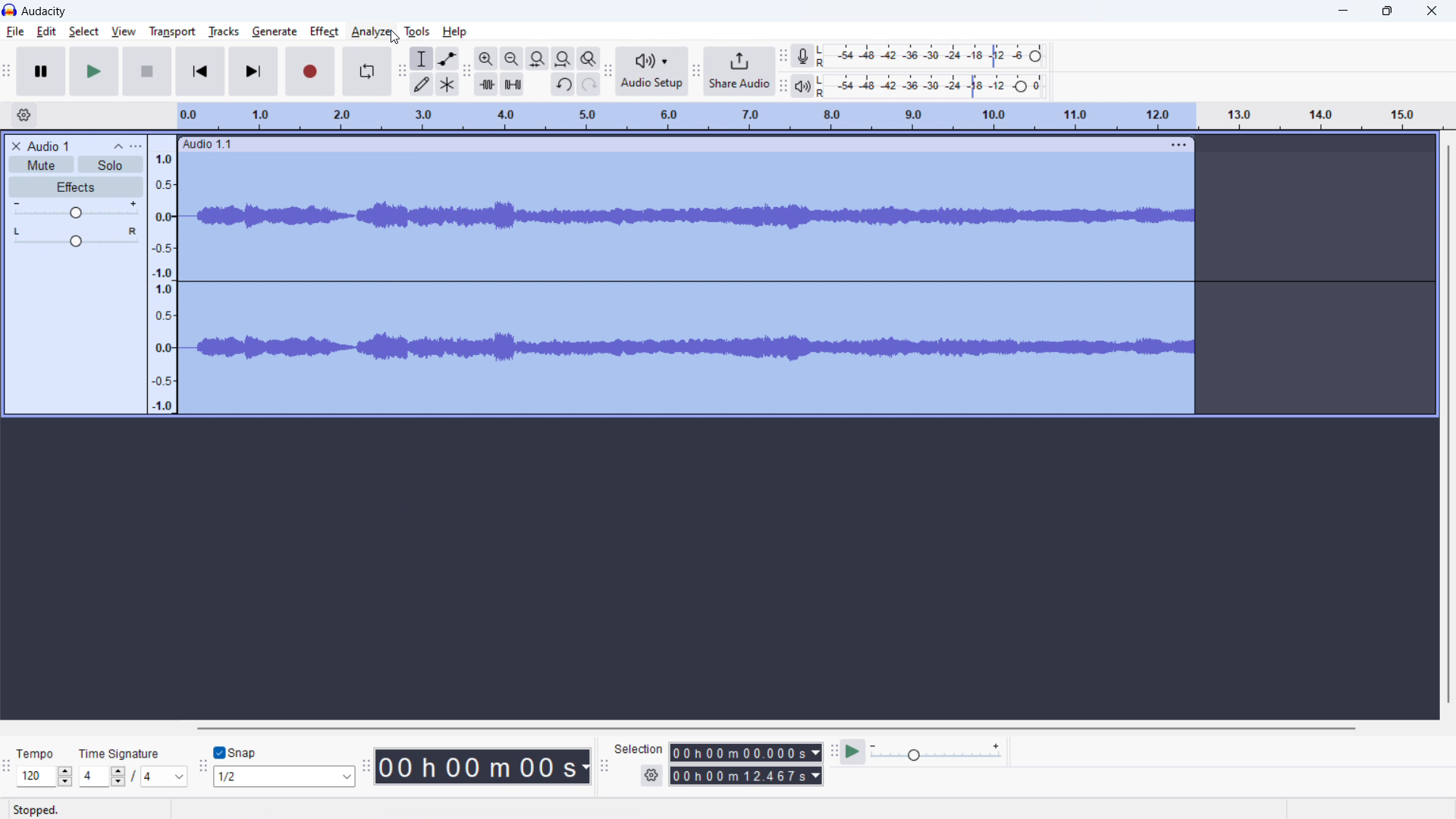 This screenshot has width=1456, height=819. I want to click on mute, so click(42, 165).